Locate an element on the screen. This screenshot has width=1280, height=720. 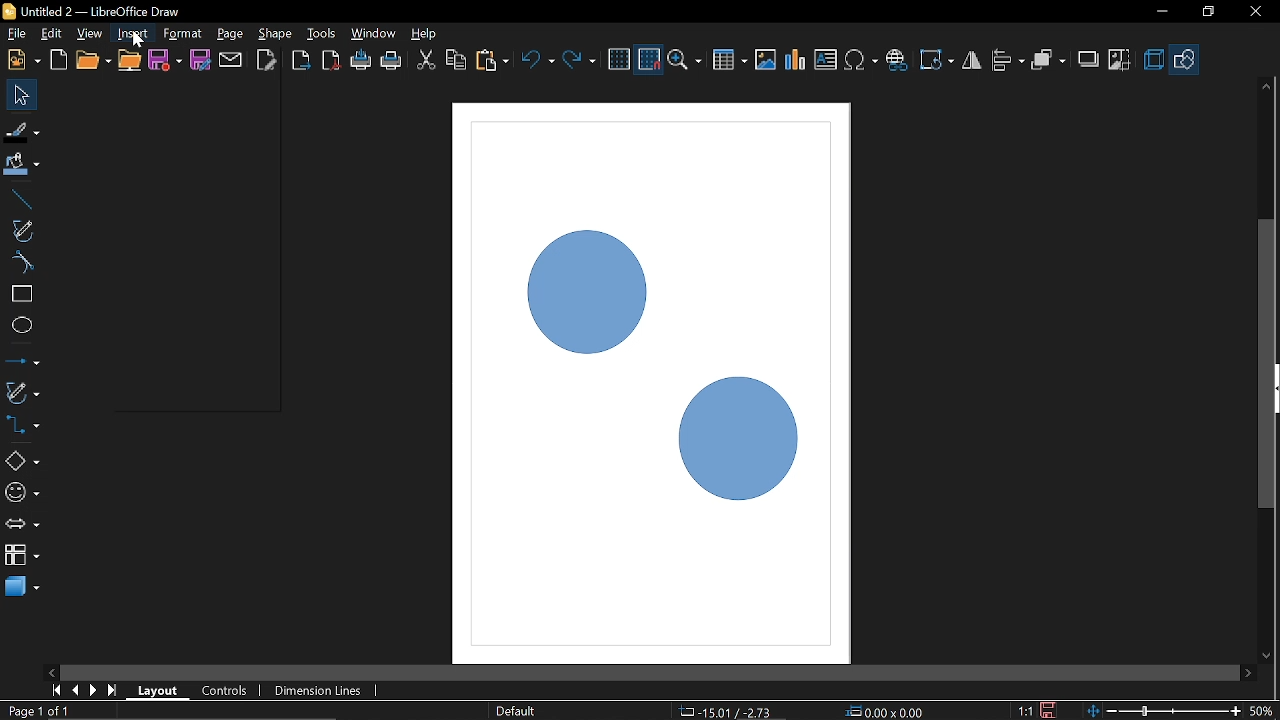
DImension line is located at coordinates (321, 692).